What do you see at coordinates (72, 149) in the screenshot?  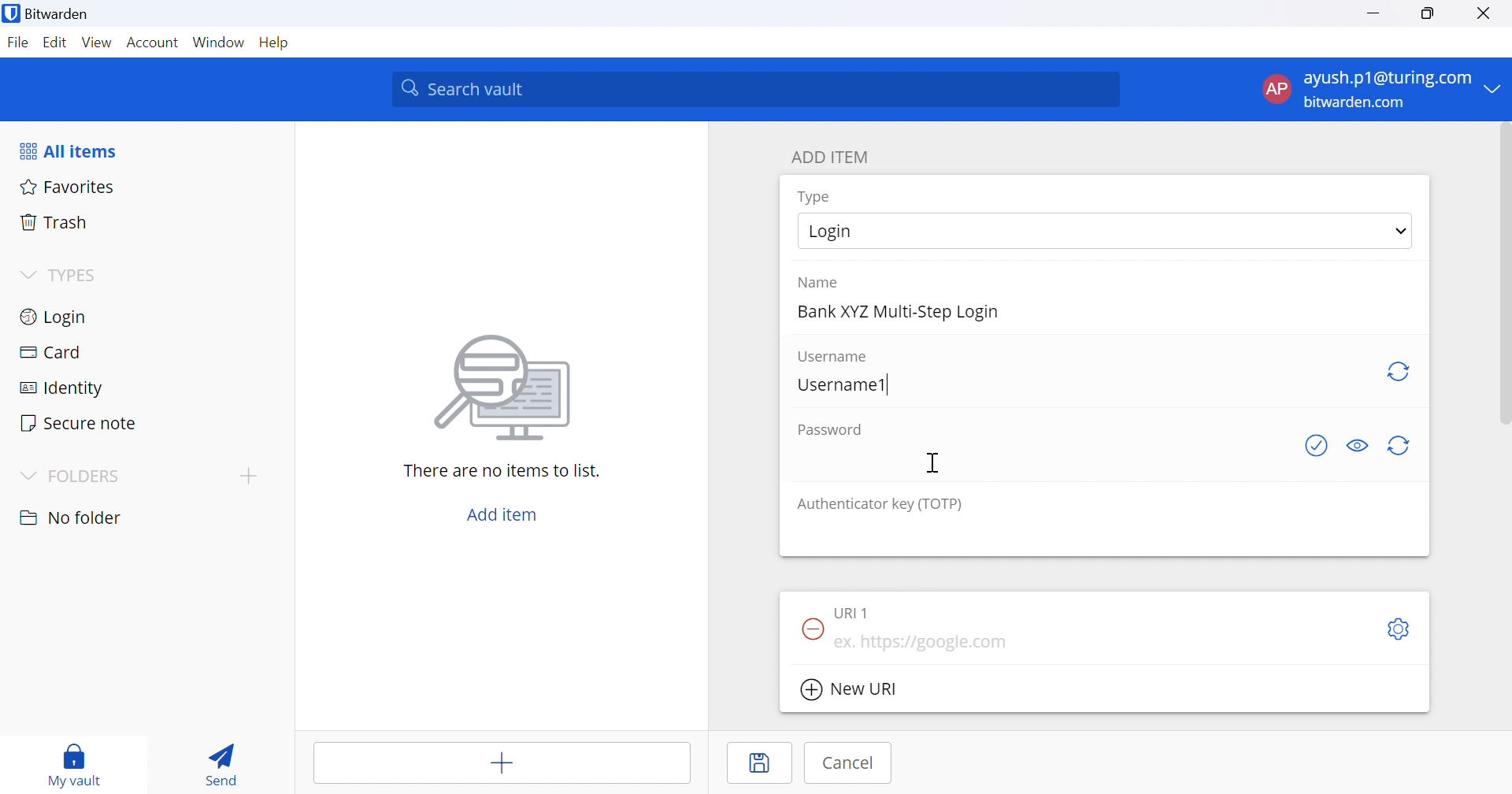 I see `All items` at bounding box center [72, 149].